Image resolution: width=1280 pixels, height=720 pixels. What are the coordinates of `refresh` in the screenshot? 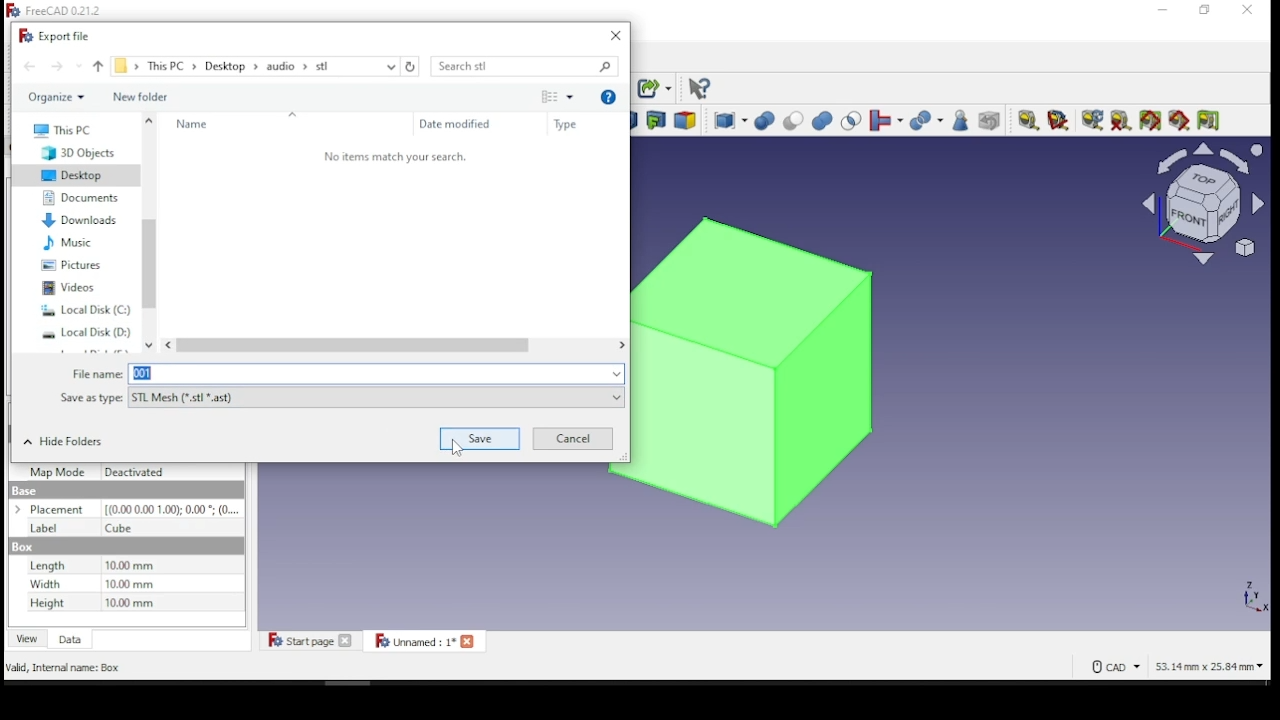 It's located at (1089, 120).